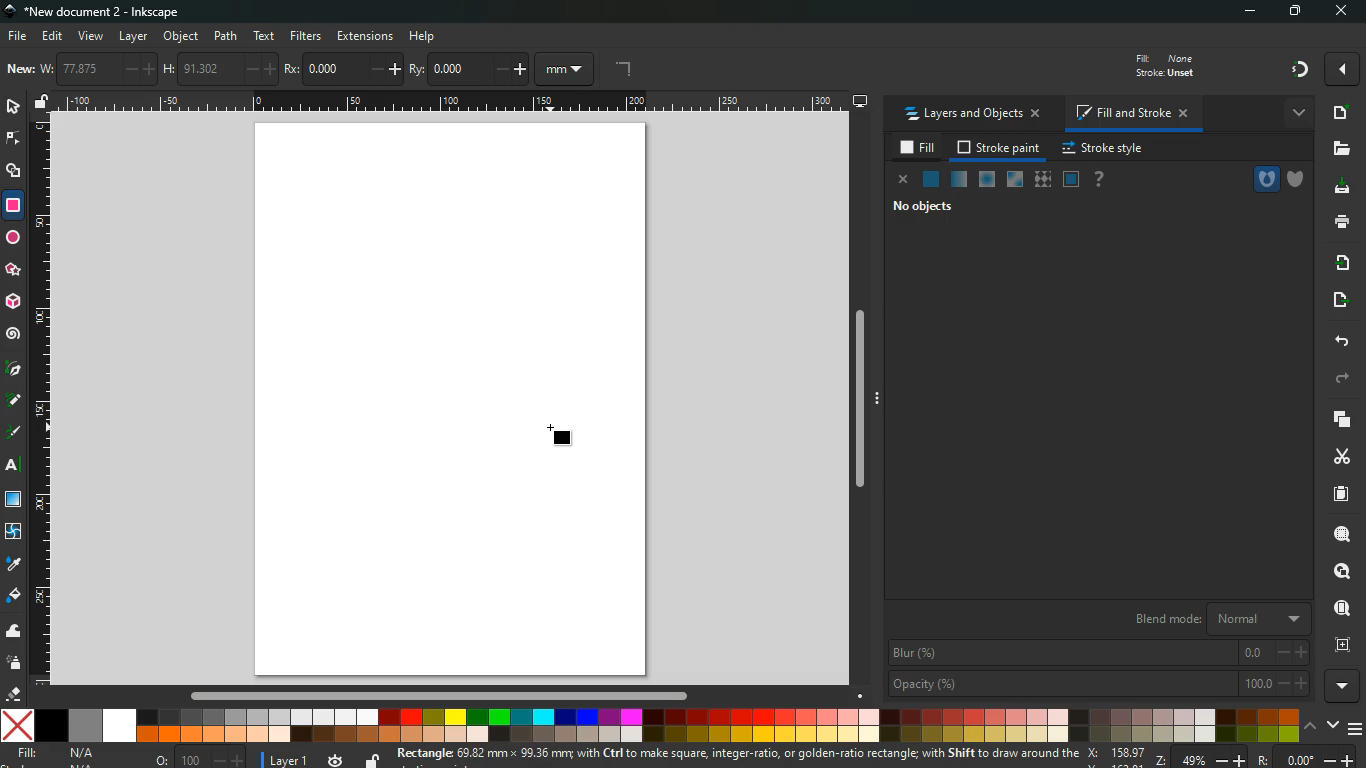  What do you see at coordinates (1042, 180) in the screenshot?
I see `texture` at bounding box center [1042, 180].